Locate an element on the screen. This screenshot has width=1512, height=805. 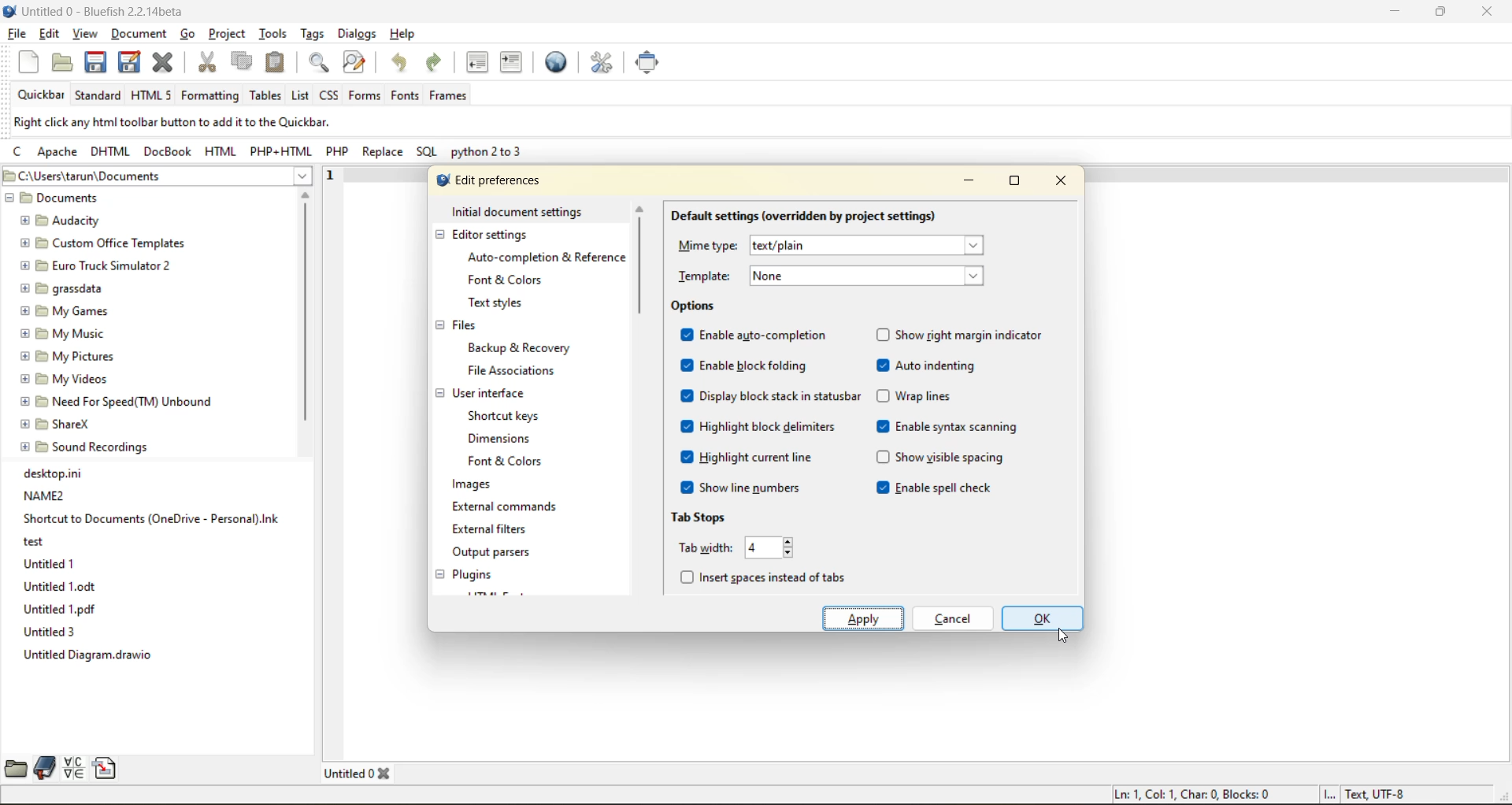
mime type is located at coordinates (841, 244).